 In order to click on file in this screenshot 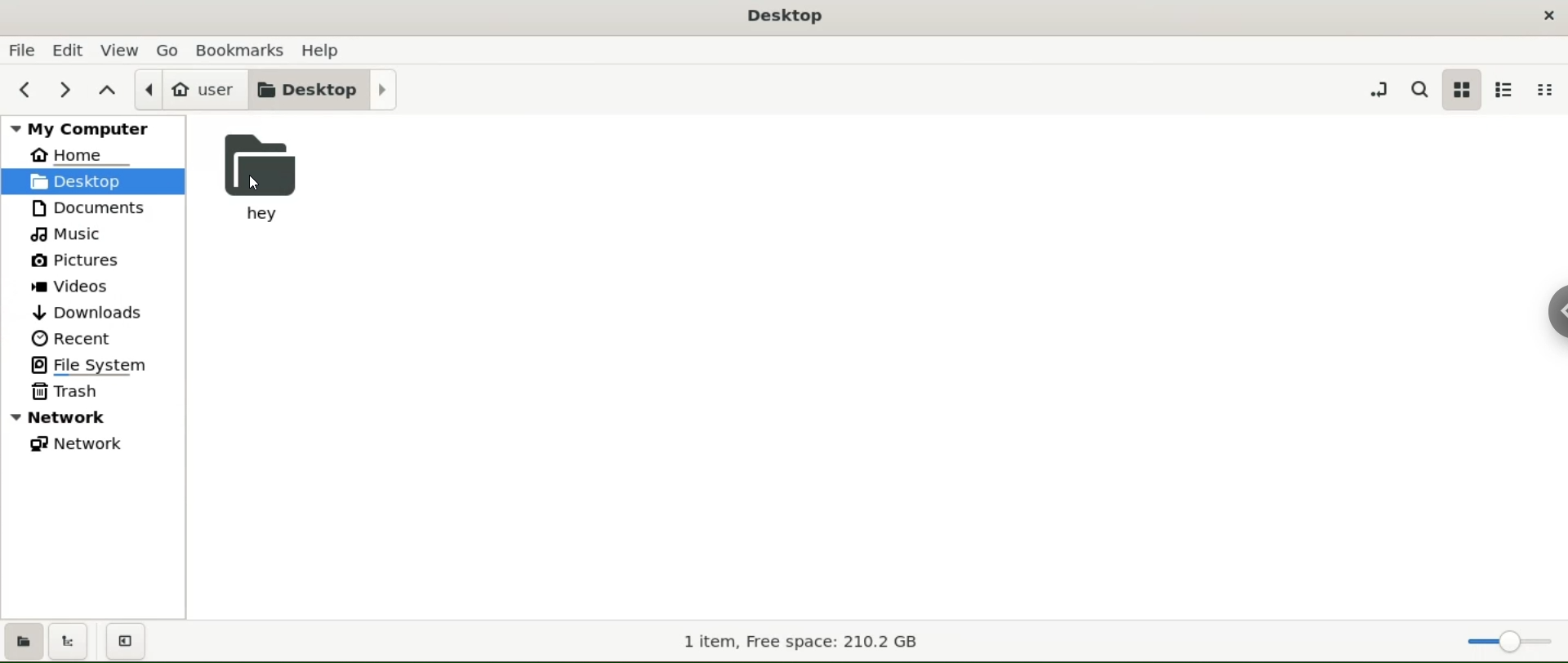, I will do `click(21, 50)`.